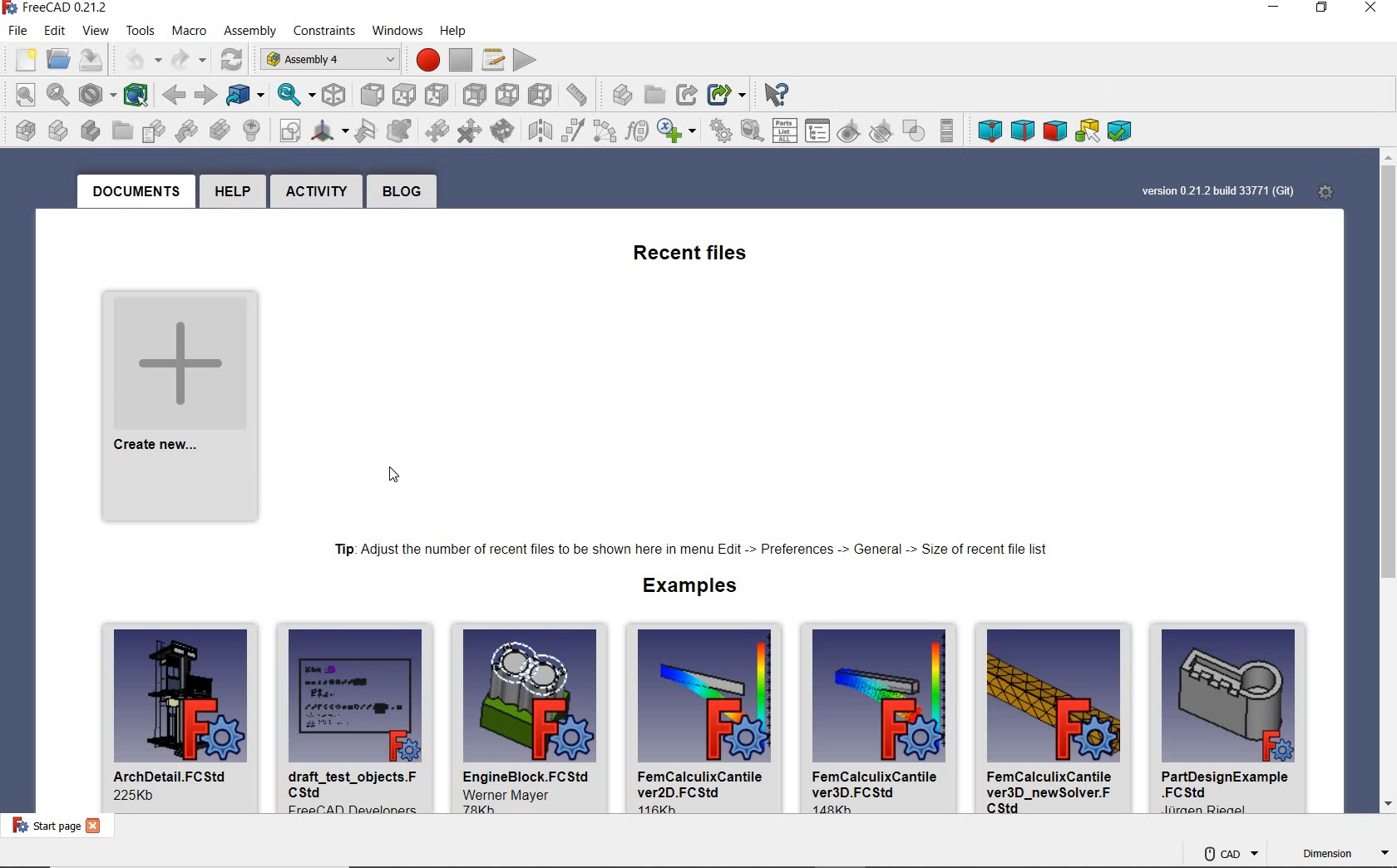 The height and width of the screenshot is (868, 1397). What do you see at coordinates (506, 130) in the screenshot?
I see `solve and update assembly` at bounding box center [506, 130].